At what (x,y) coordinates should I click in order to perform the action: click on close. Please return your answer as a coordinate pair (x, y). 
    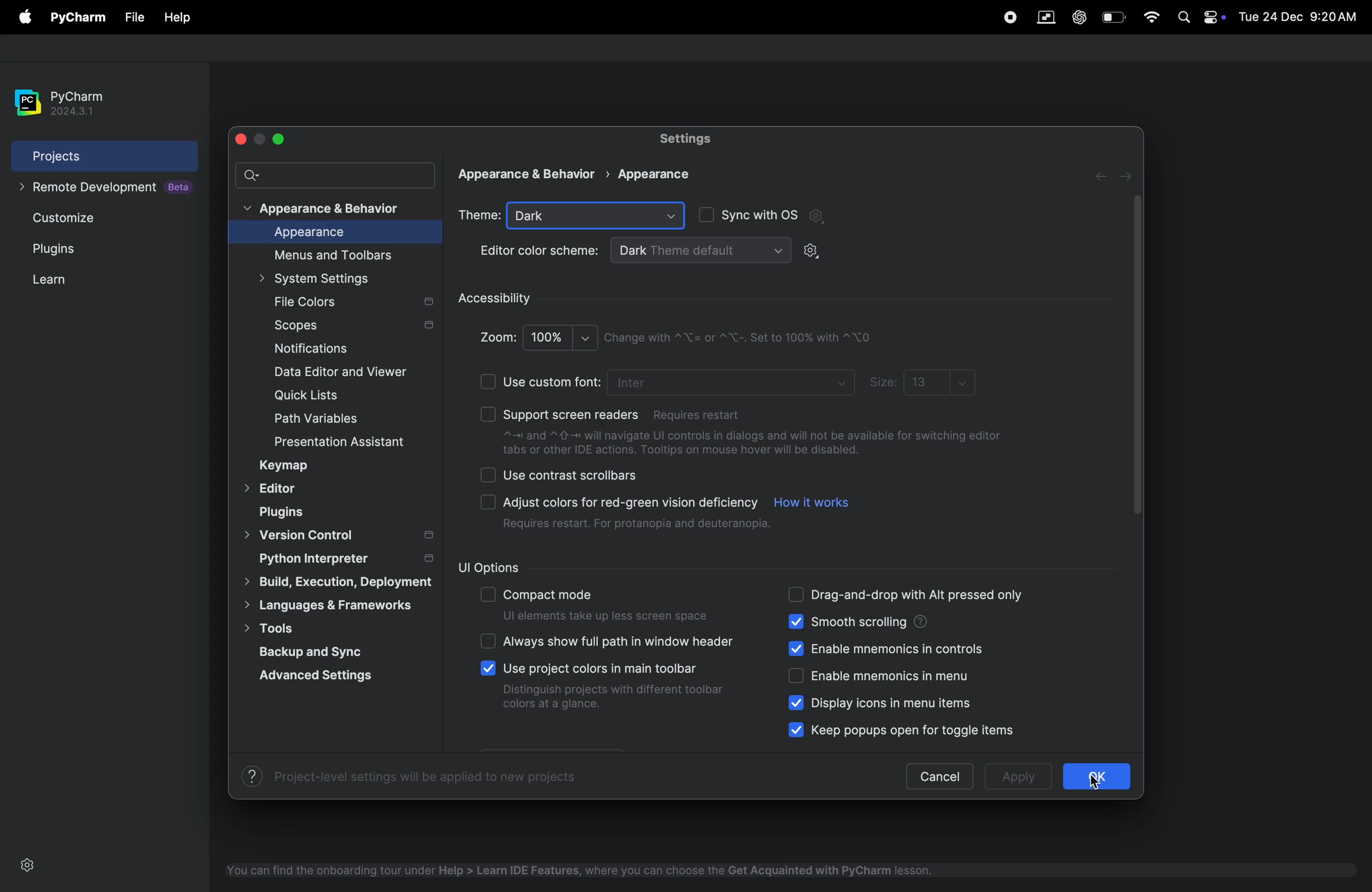
    Looking at the image, I should click on (244, 139).